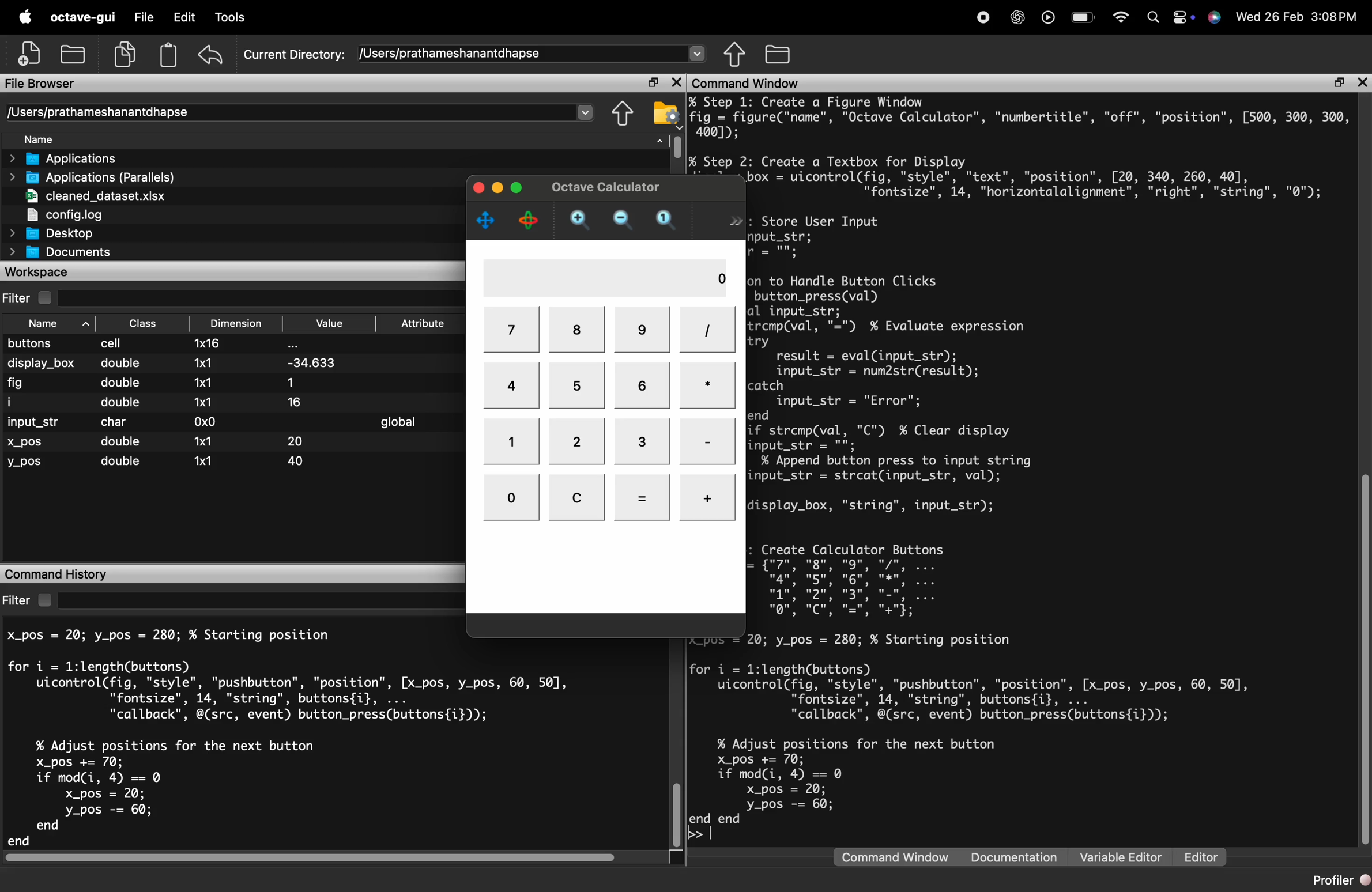  I want to click on Dimension, so click(235, 322).